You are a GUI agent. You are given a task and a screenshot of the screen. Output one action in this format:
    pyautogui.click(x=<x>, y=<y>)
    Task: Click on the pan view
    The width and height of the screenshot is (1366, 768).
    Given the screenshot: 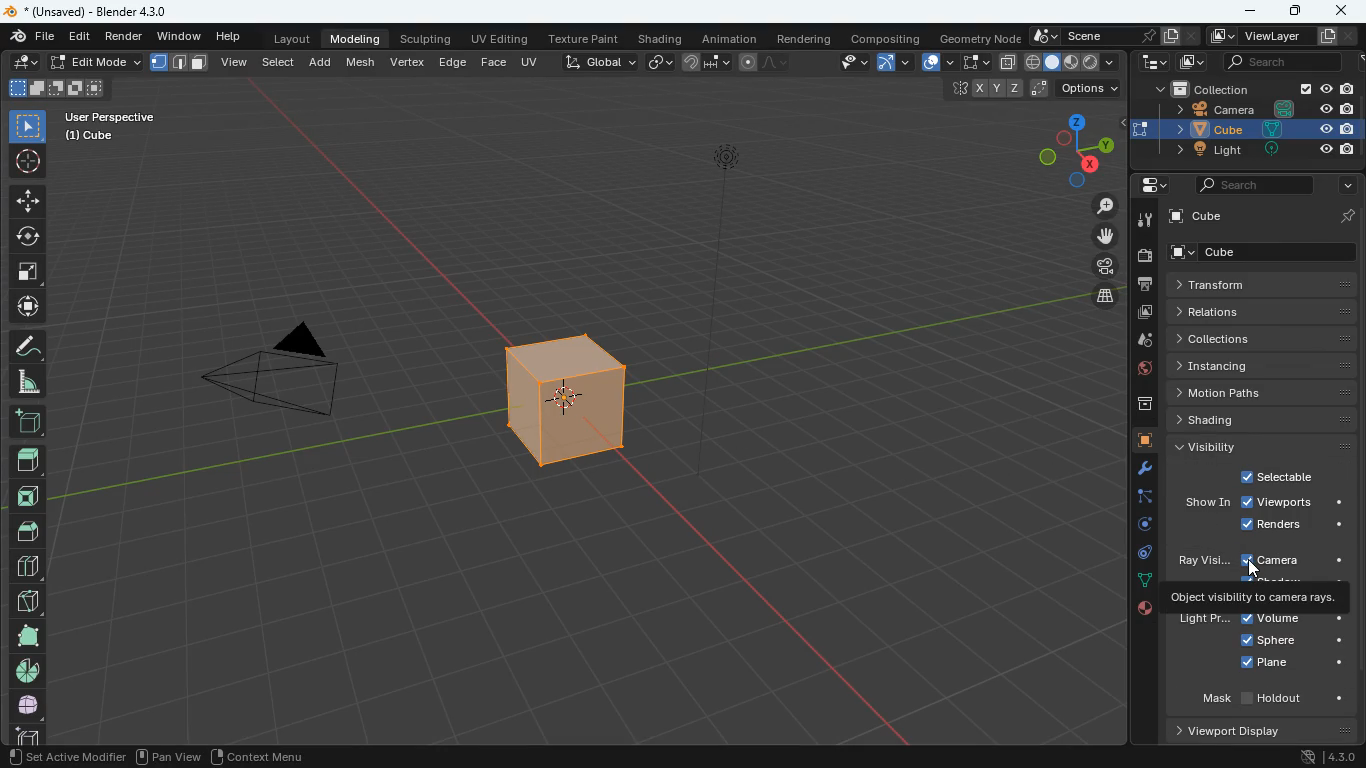 What is the action you would take?
    pyautogui.click(x=167, y=755)
    